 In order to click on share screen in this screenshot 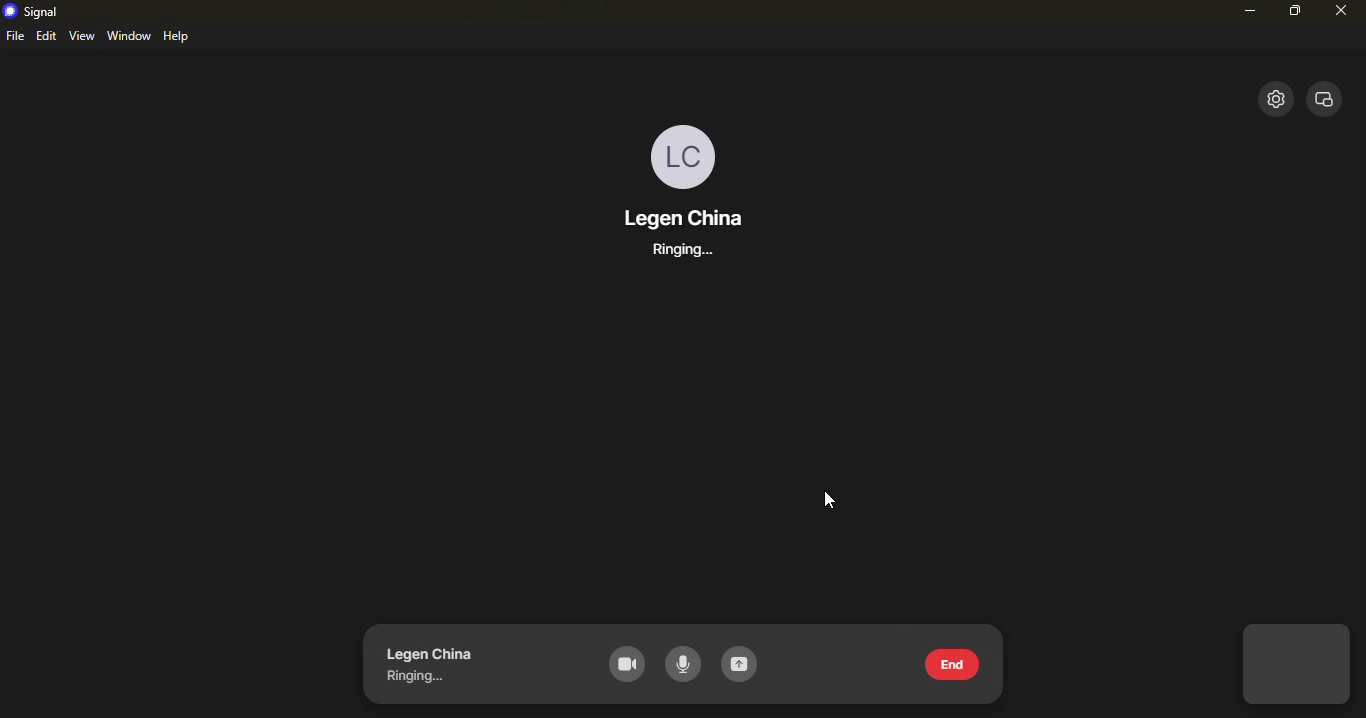, I will do `click(741, 666)`.